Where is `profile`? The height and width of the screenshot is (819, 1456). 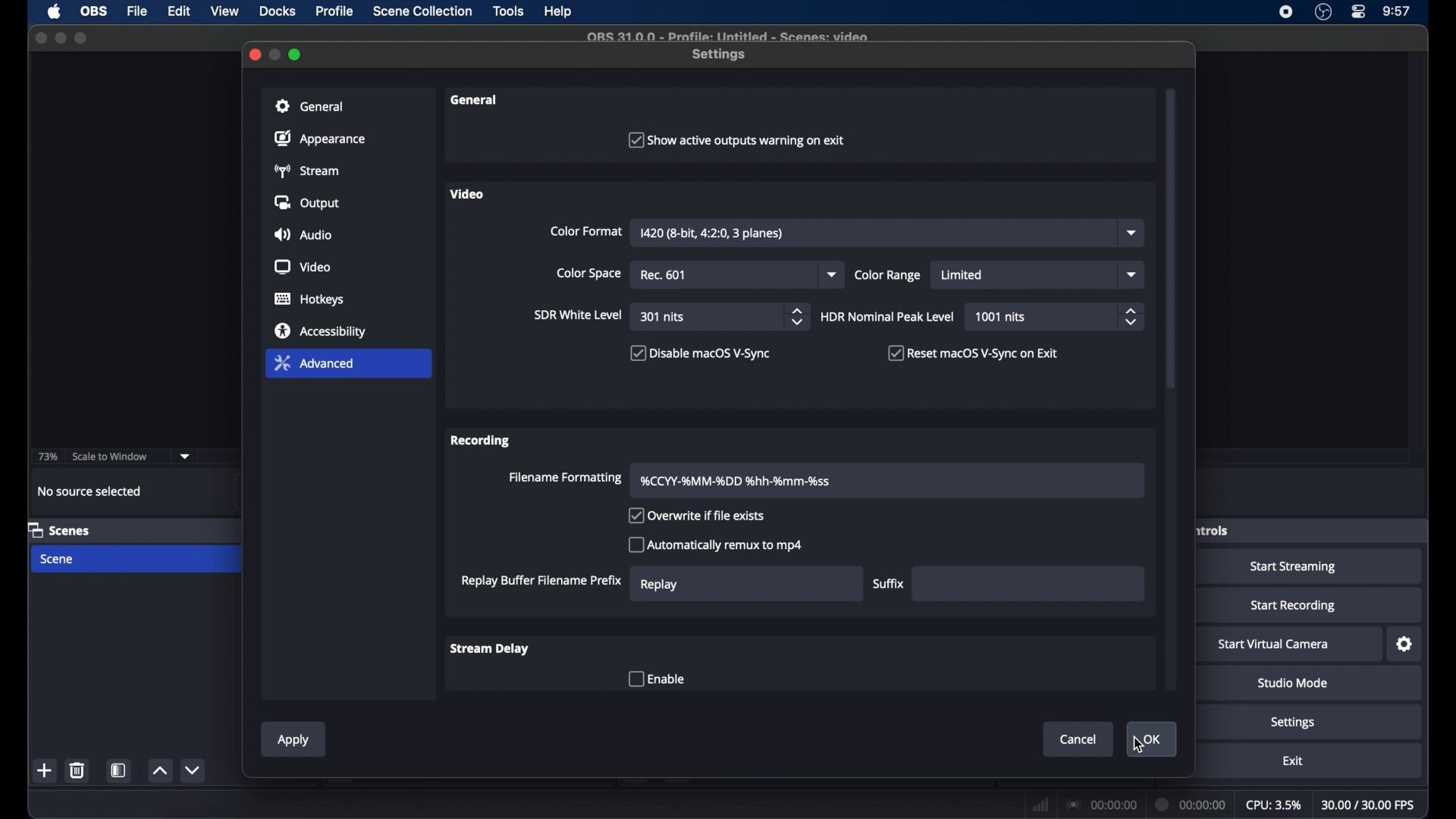 profile is located at coordinates (335, 11).